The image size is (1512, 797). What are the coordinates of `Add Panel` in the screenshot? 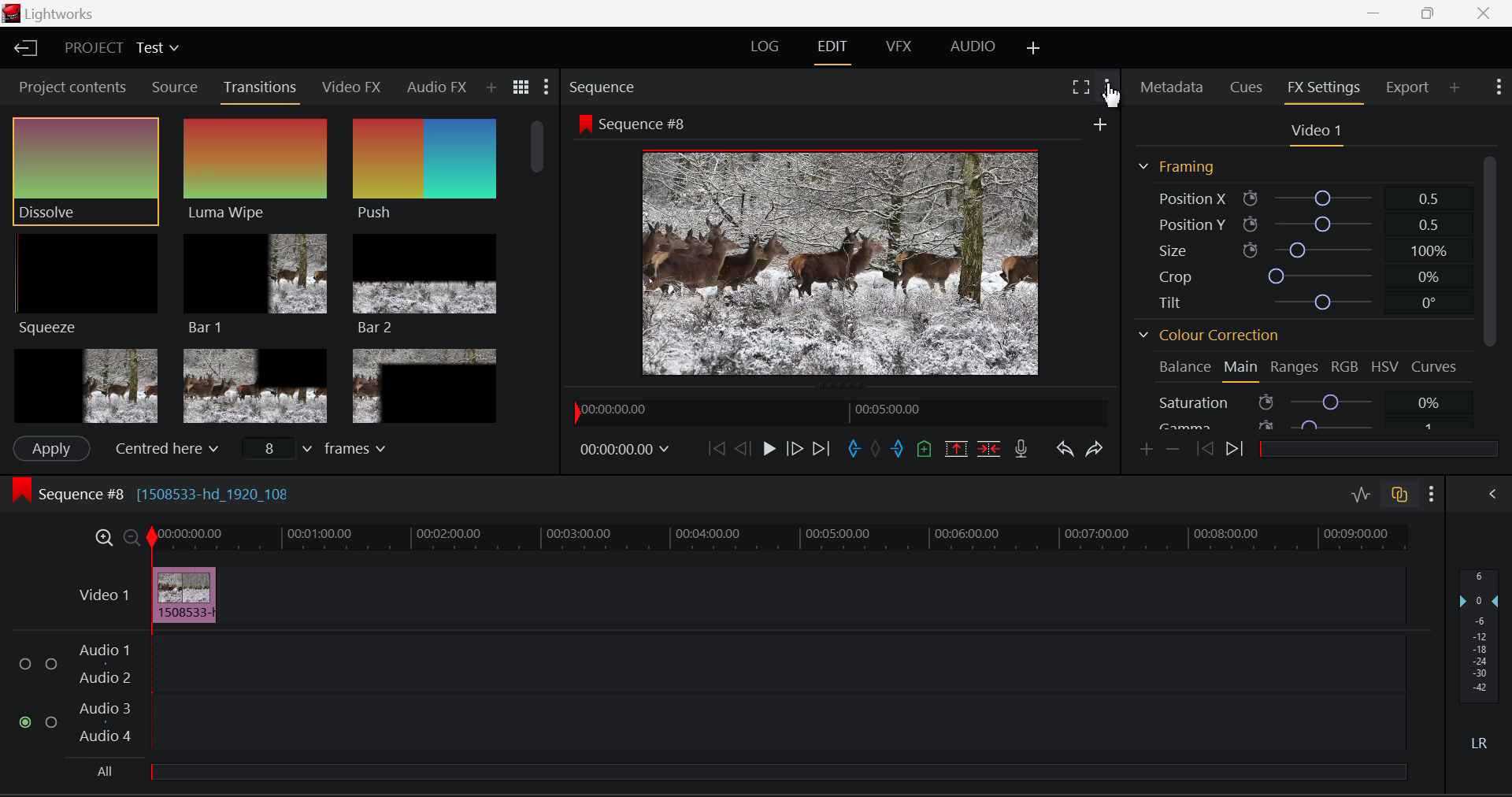 It's located at (1456, 88).